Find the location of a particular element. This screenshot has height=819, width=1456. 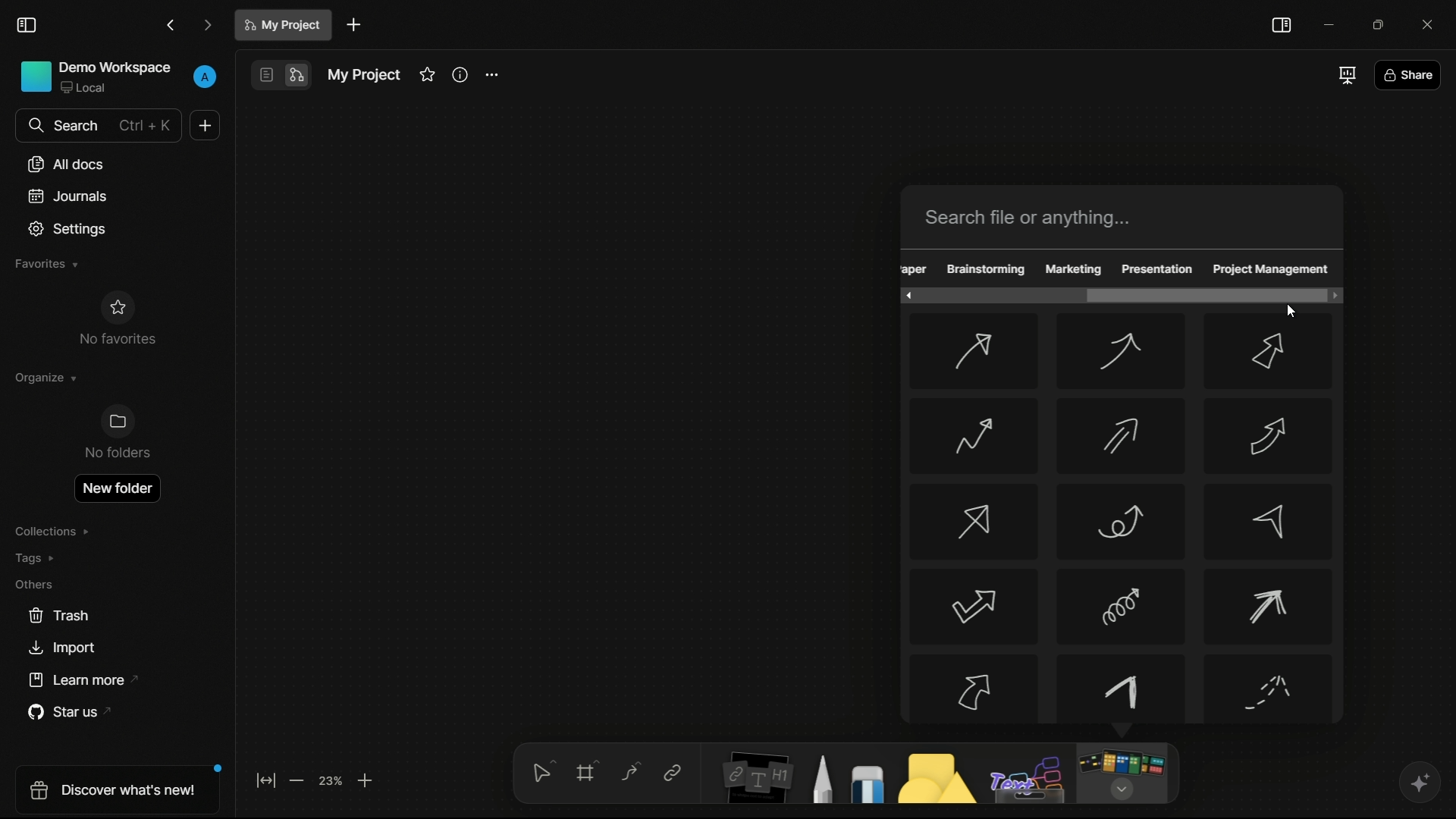

arrow-13 is located at coordinates (973, 688).